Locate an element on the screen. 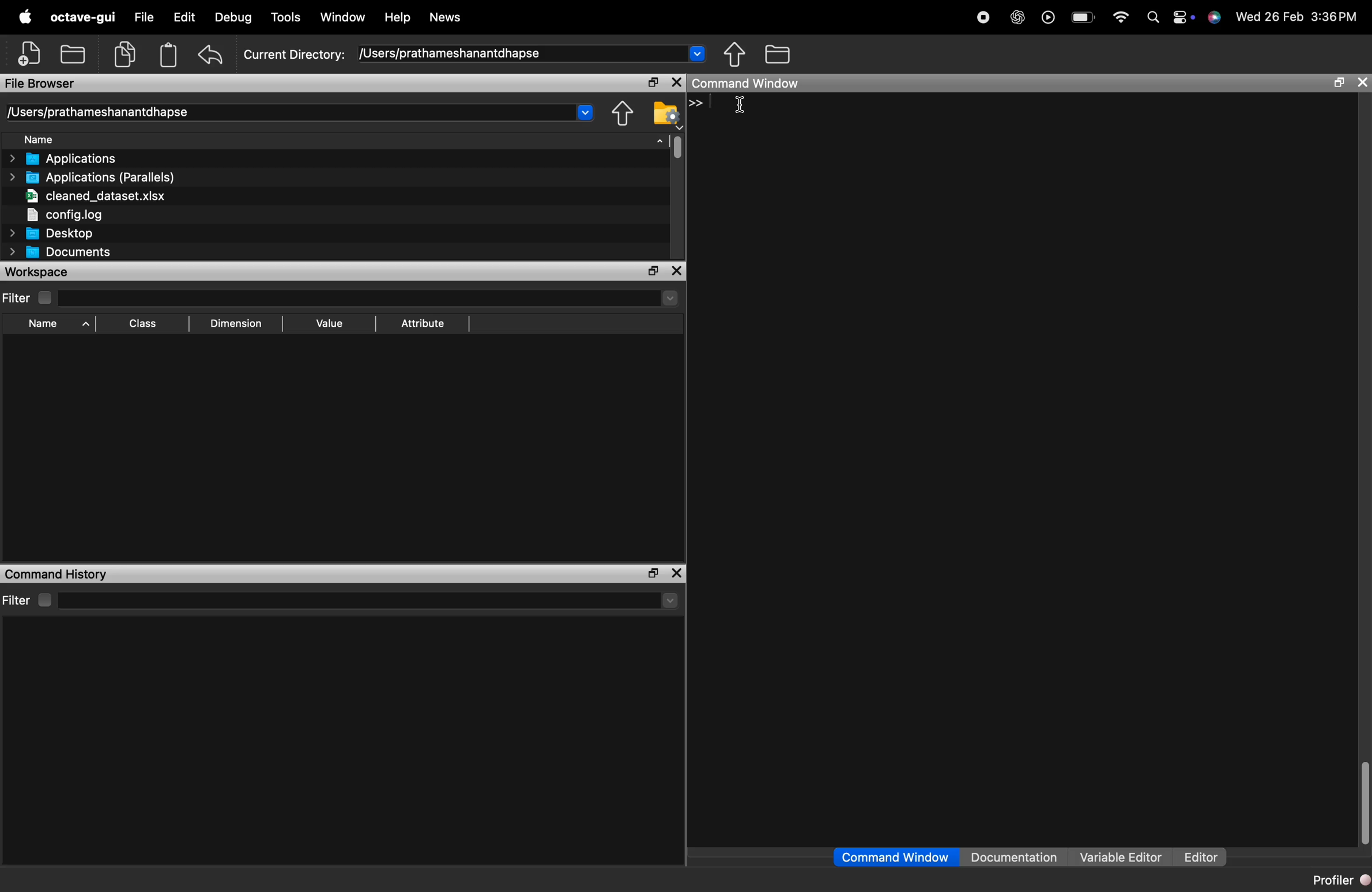  recording is located at coordinates (986, 17).